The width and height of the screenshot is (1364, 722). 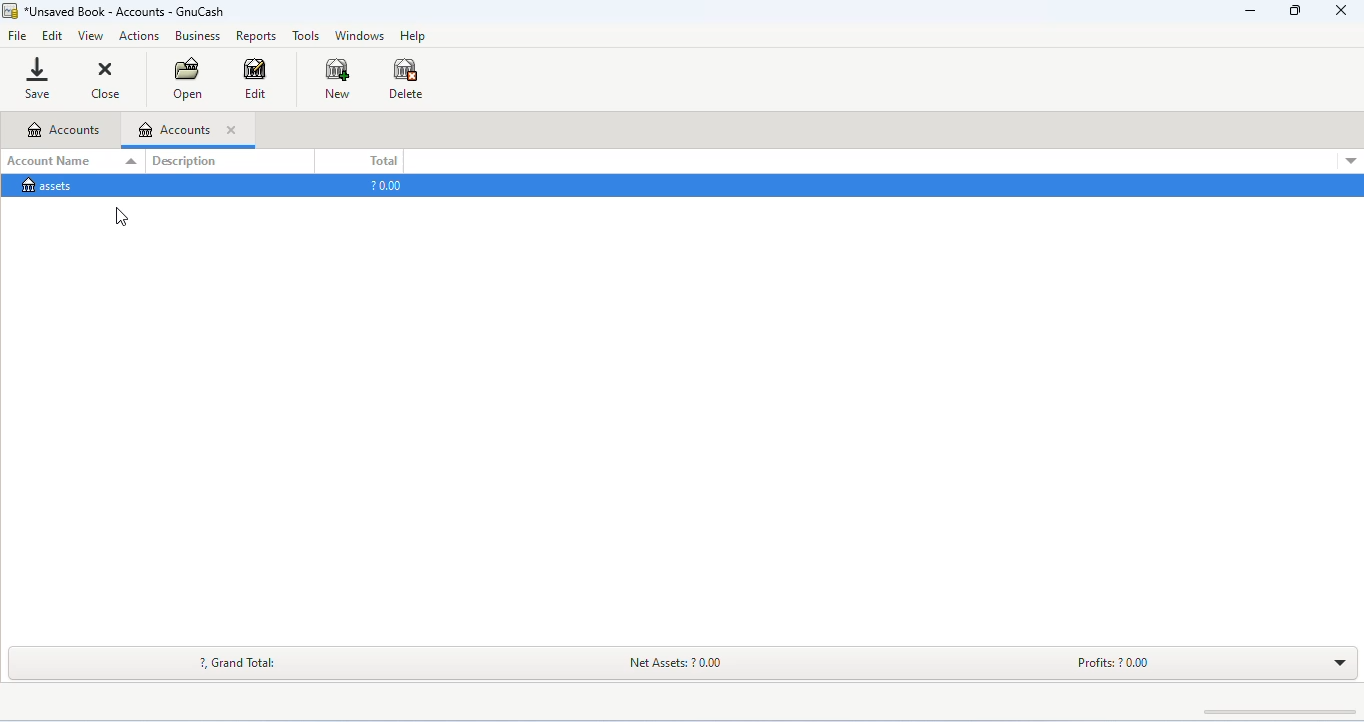 I want to click on actions, so click(x=140, y=36).